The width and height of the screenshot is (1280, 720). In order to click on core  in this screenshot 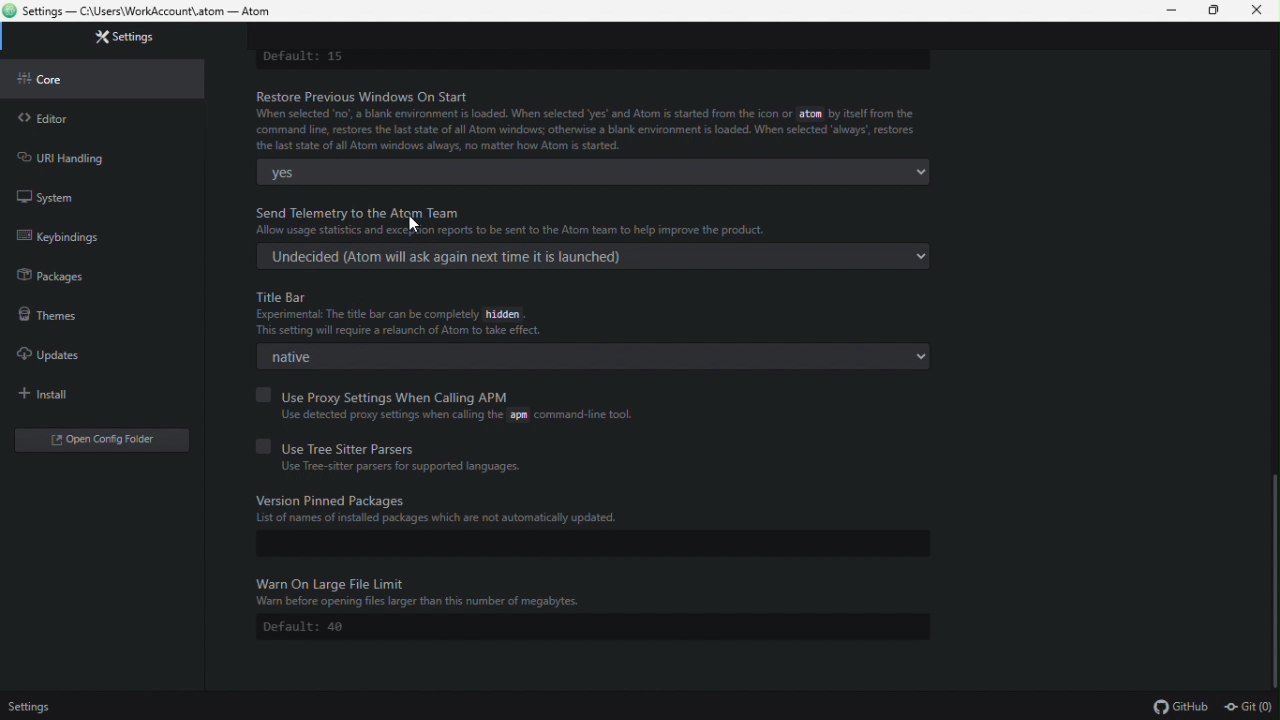, I will do `click(89, 80)`.